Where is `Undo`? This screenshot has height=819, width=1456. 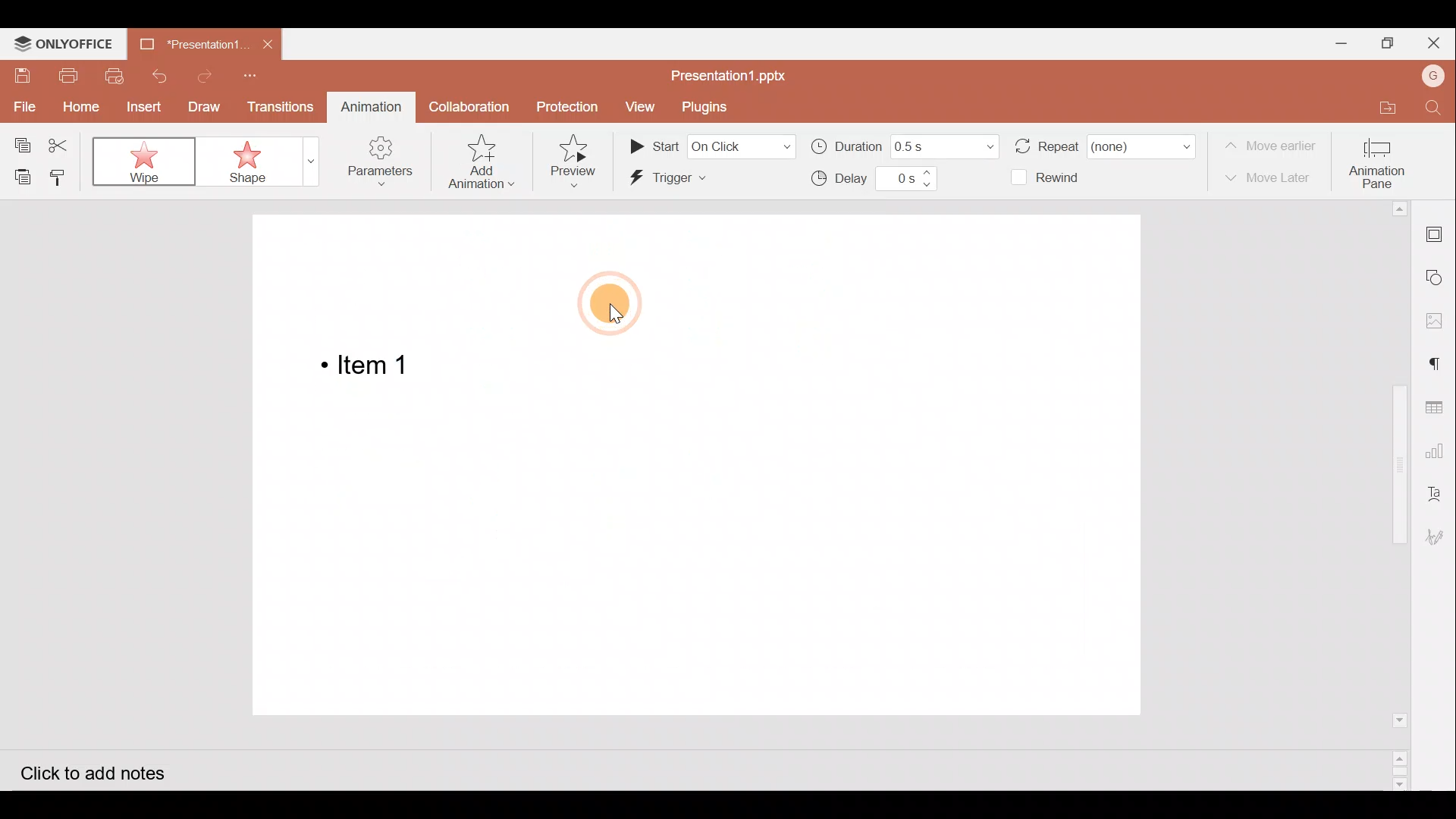
Undo is located at coordinates (159, 73).